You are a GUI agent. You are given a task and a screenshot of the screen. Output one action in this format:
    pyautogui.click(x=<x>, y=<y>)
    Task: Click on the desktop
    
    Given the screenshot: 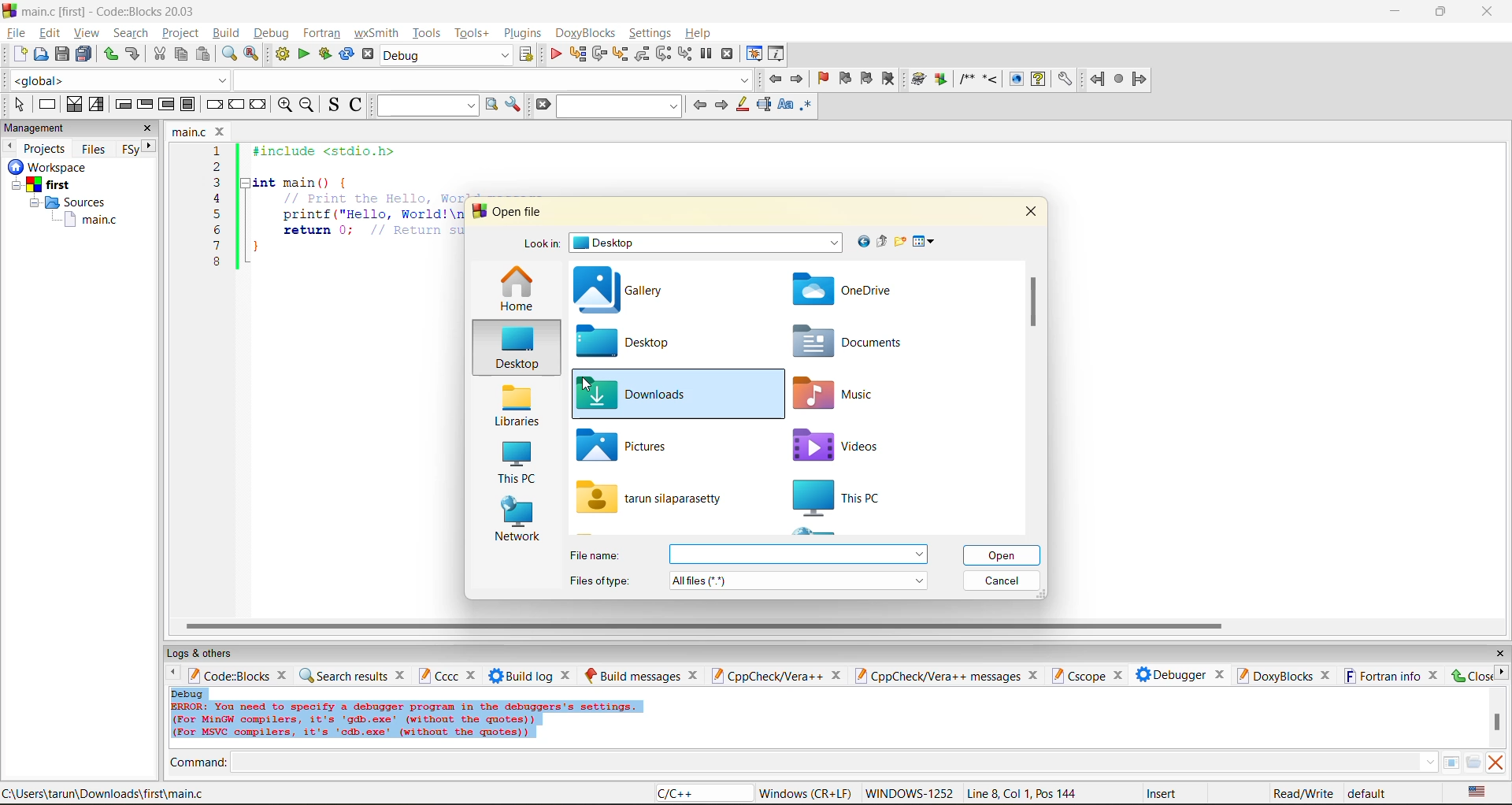 What is the action you would take?
    pyautogui.click(x=640, y=342)
    